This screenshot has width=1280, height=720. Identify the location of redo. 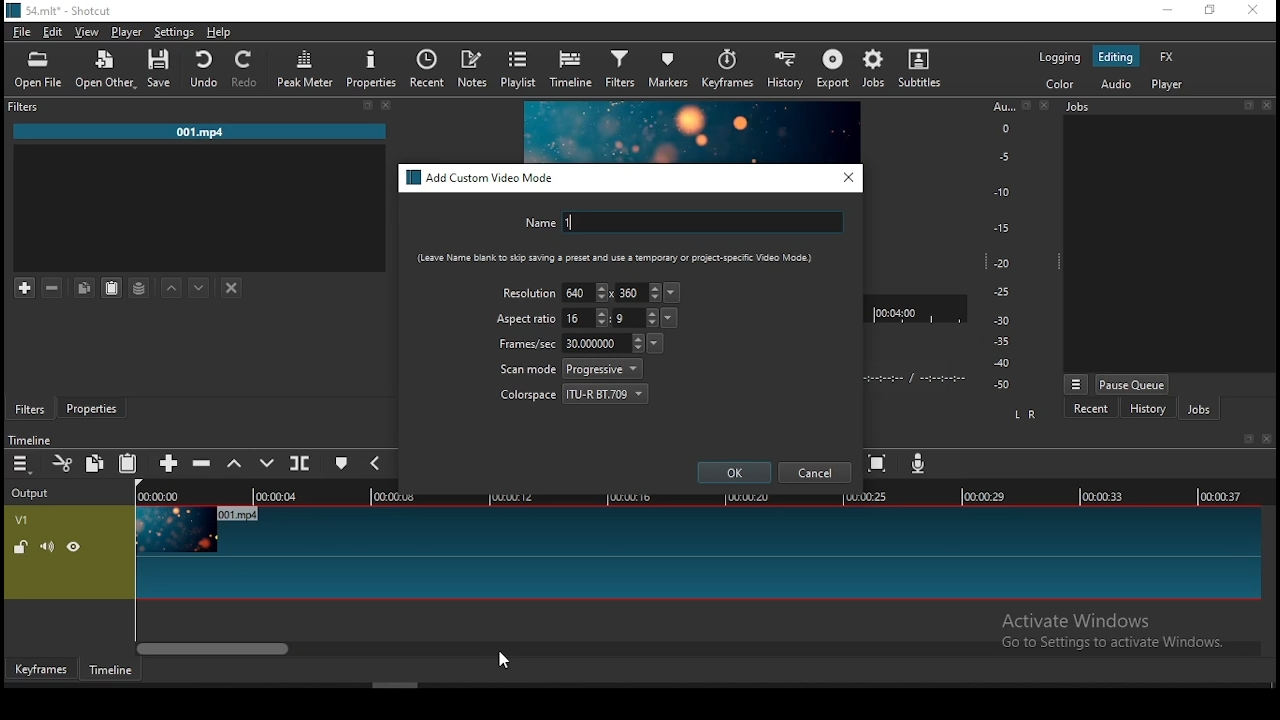
(247, 69).